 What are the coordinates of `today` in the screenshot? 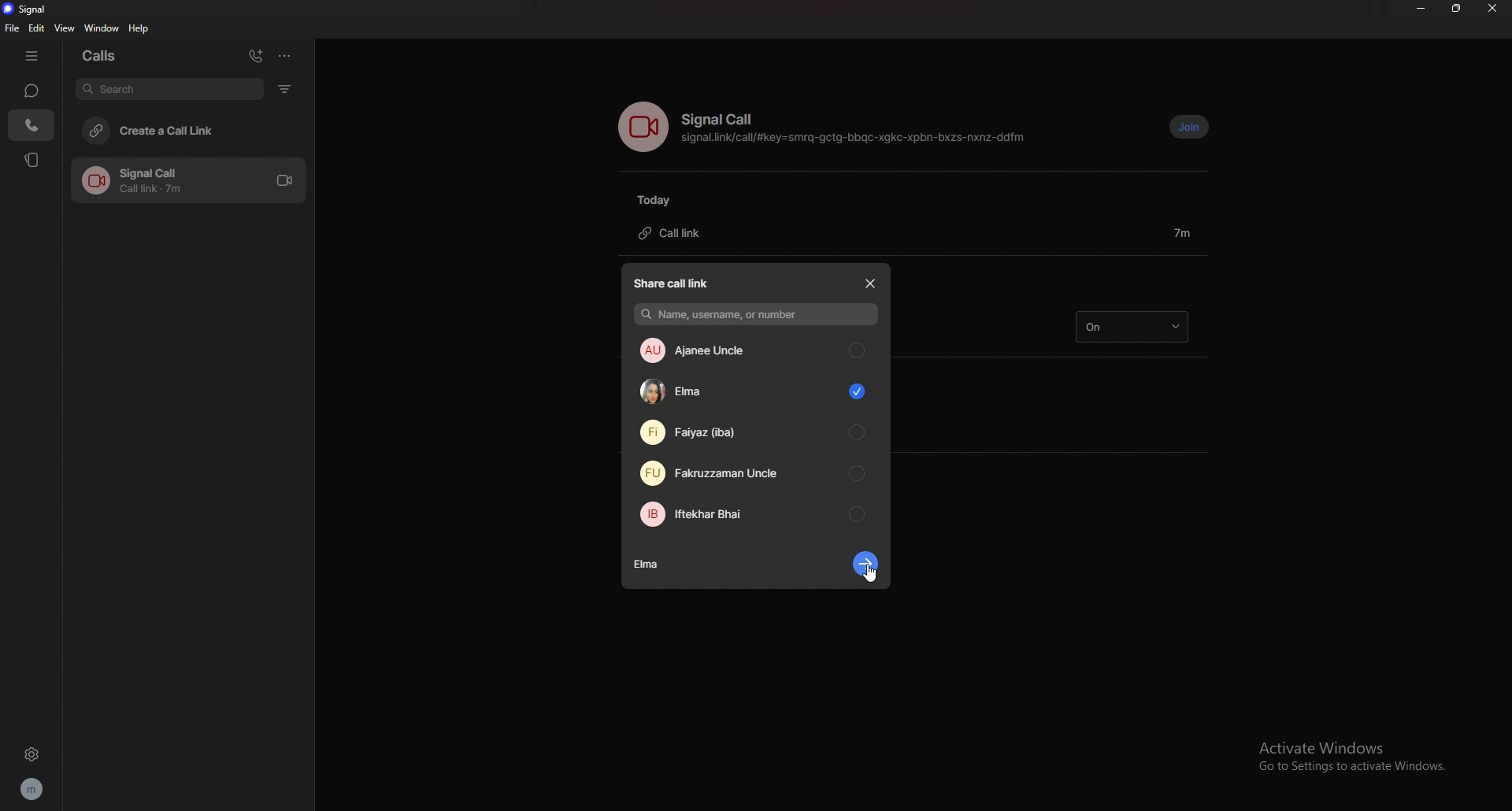 It's located at (661, 200).